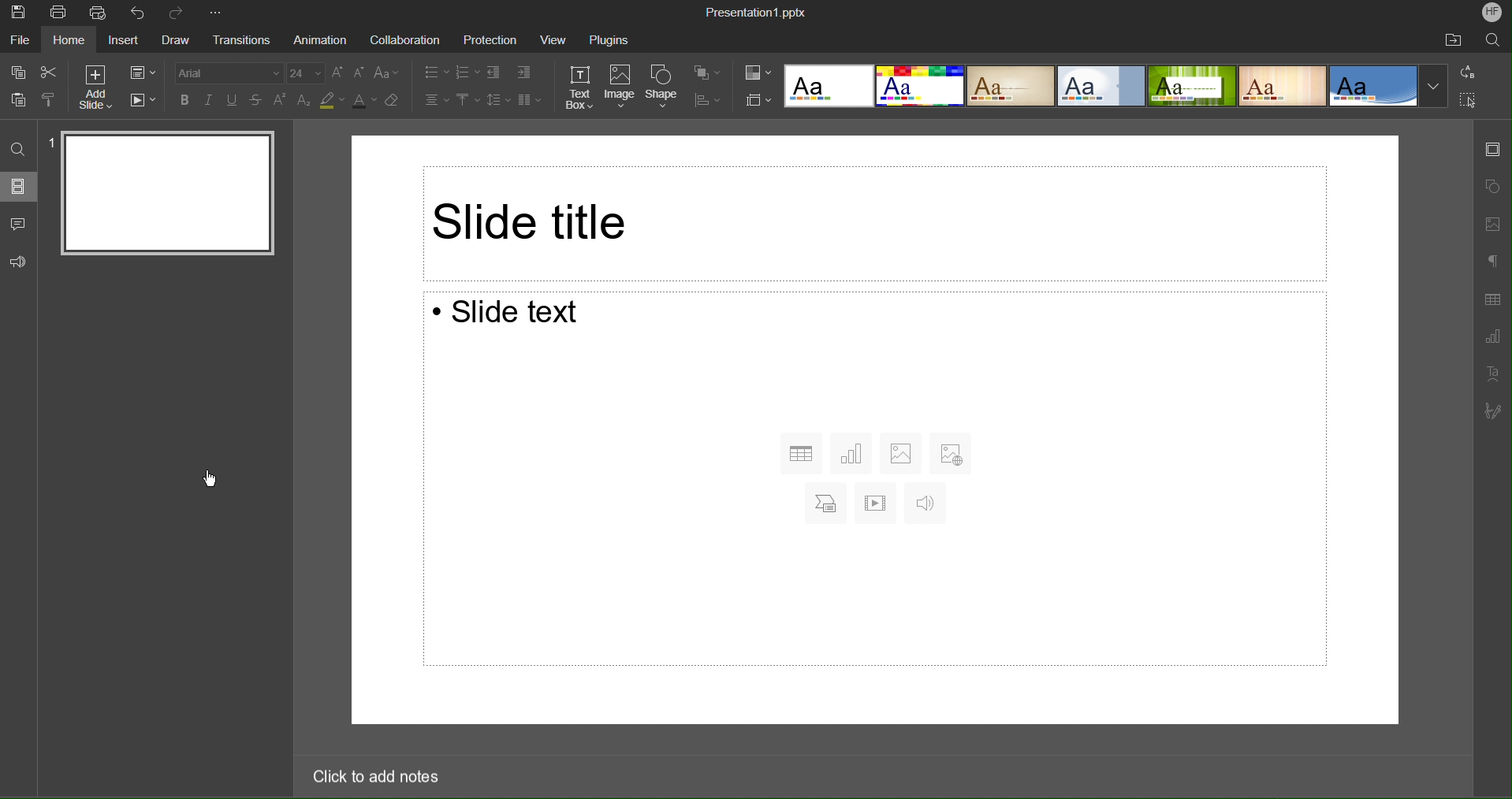 The height and width of the screenshot is (799, 1512). Describe the element at coordinates (1496, 411) in the screenshot. I see `Signature` at that location.